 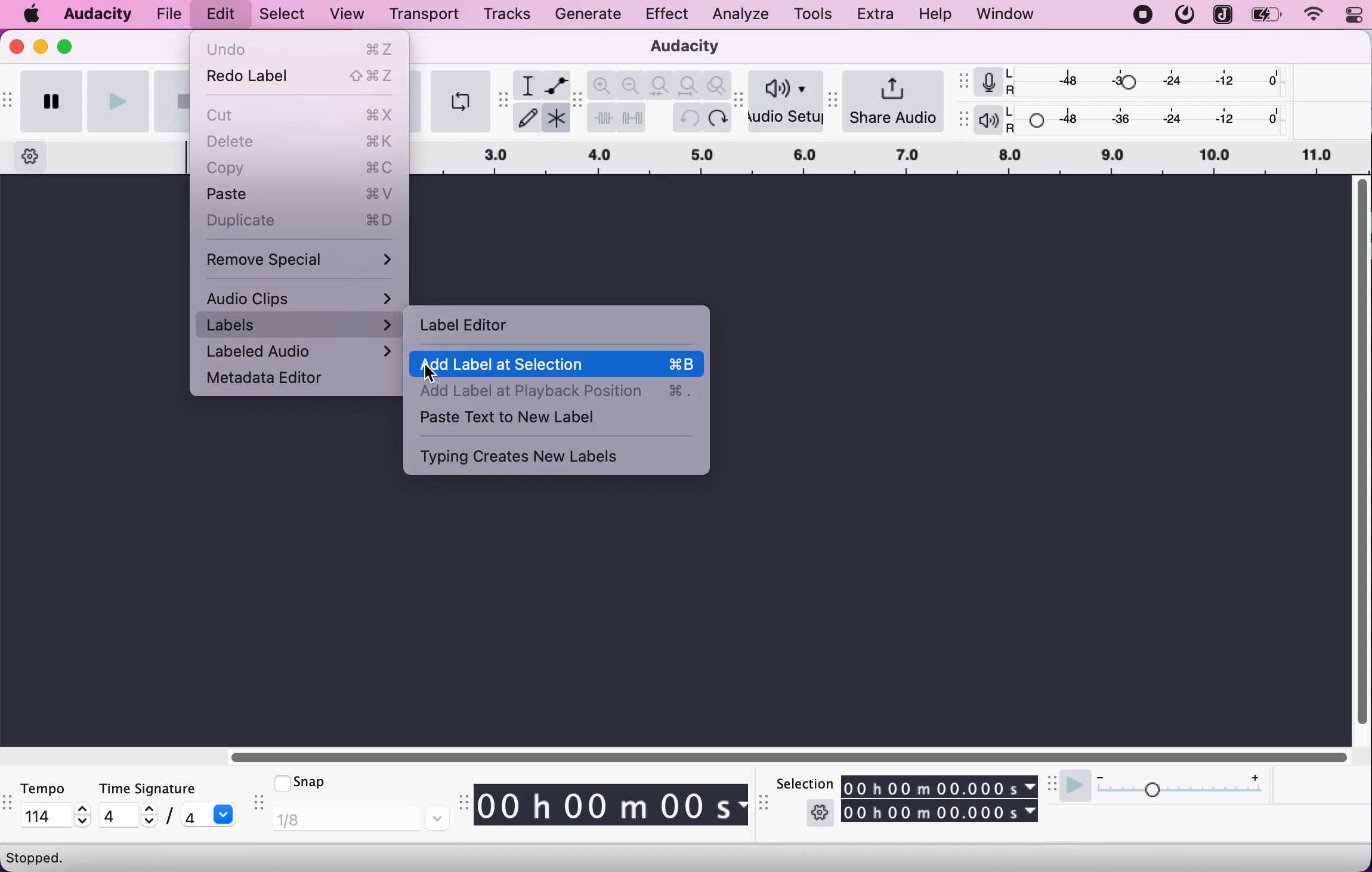 What do you see at coordinates (690, 85) in the screenshot?
I see `fit project to width` at bounding box center [690, 85].